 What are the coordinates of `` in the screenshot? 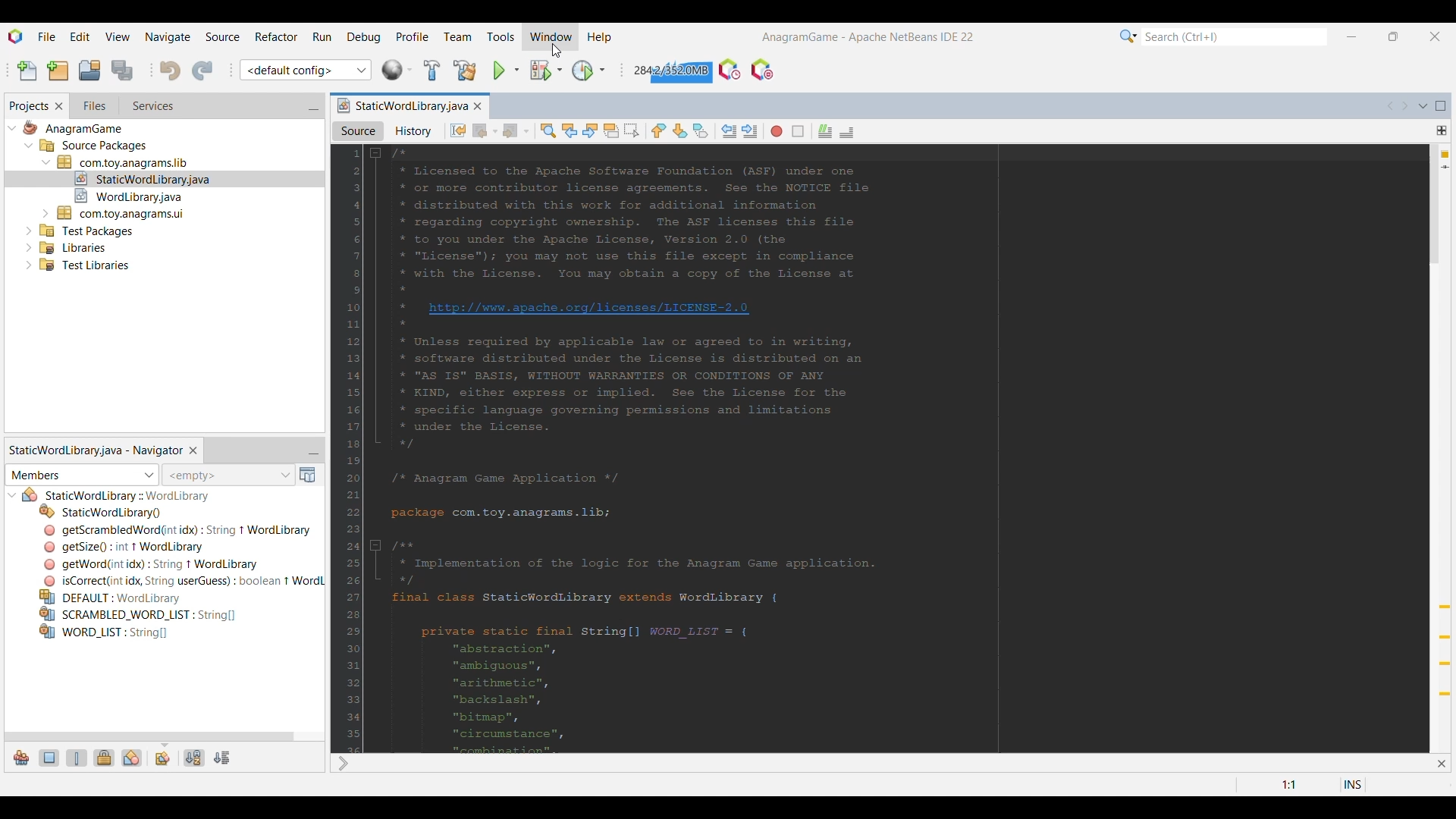 It's located at (73, 130).